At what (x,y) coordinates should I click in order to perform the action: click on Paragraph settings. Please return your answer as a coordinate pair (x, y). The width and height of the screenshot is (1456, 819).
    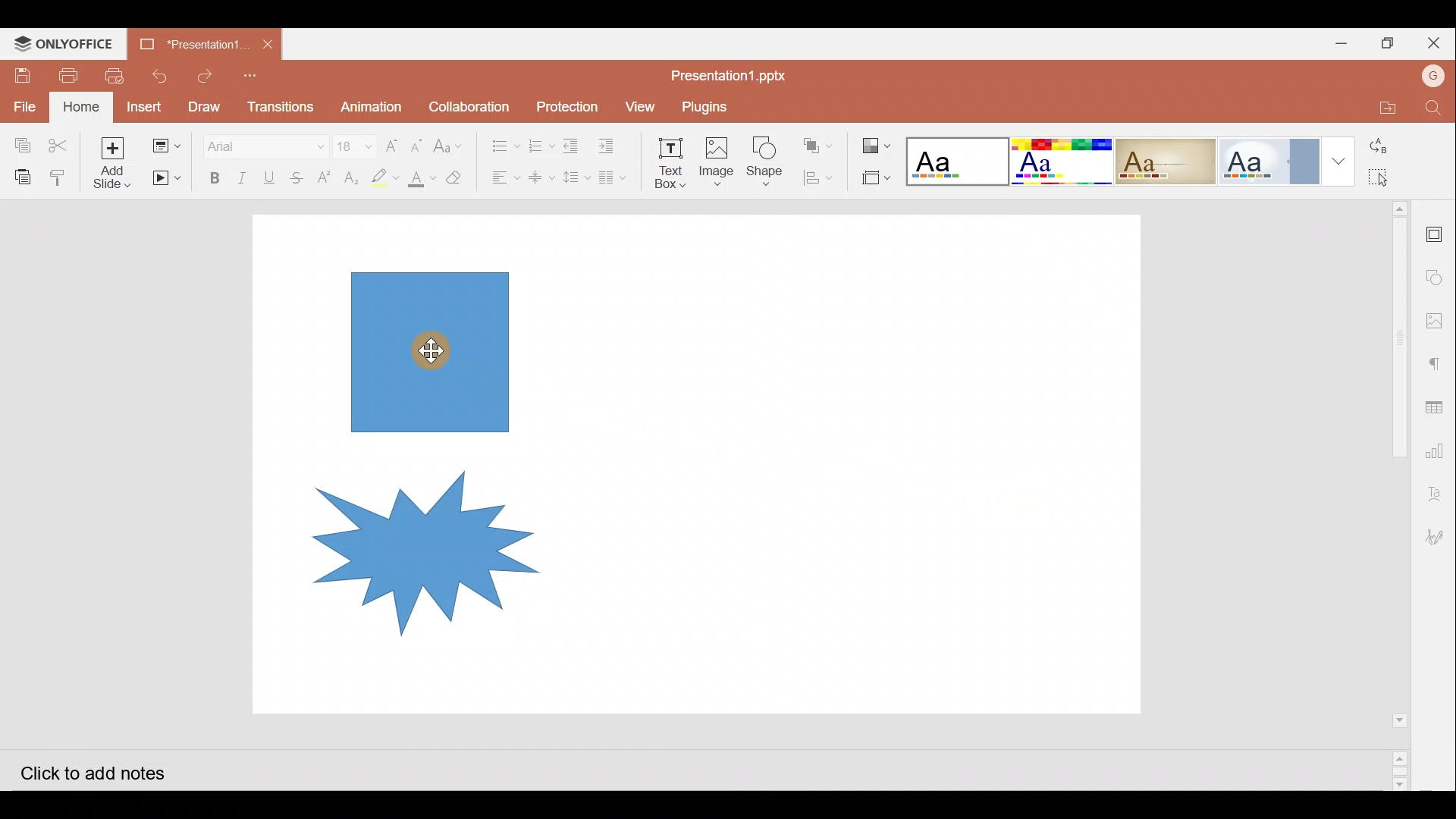
    Looking at the image, I should click on (1438, 360).